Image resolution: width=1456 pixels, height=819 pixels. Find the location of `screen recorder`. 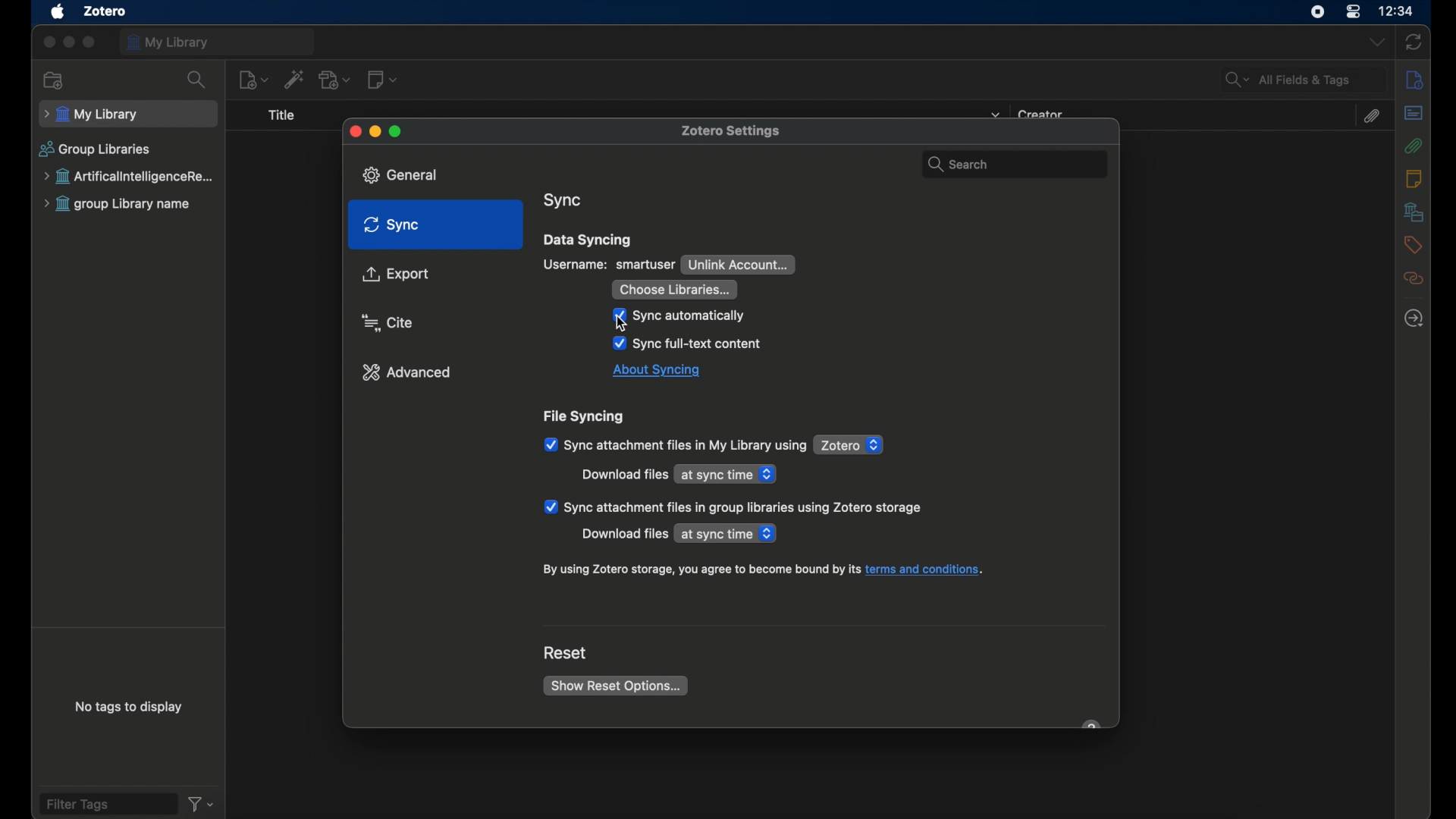

screen recorder is located at coordinates (1314, 13).